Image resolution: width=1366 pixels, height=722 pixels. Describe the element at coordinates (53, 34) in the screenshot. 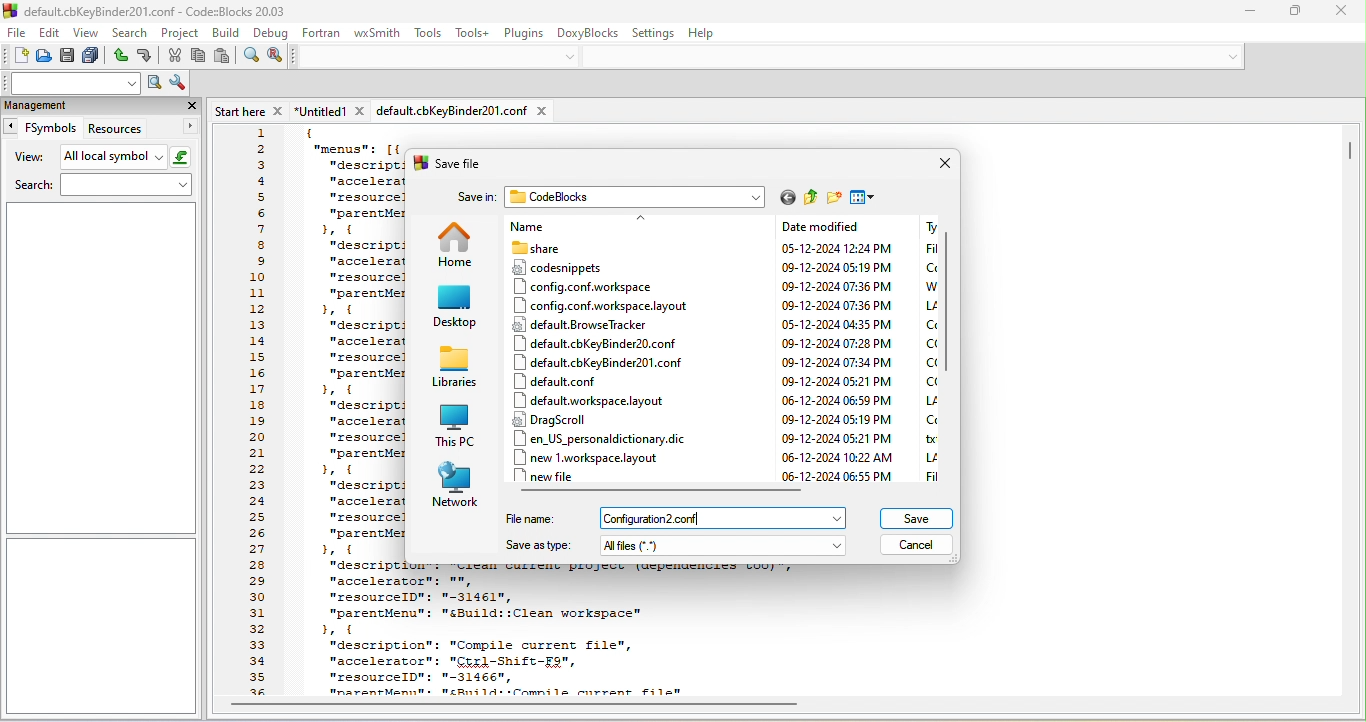

I see `edit` at that location.